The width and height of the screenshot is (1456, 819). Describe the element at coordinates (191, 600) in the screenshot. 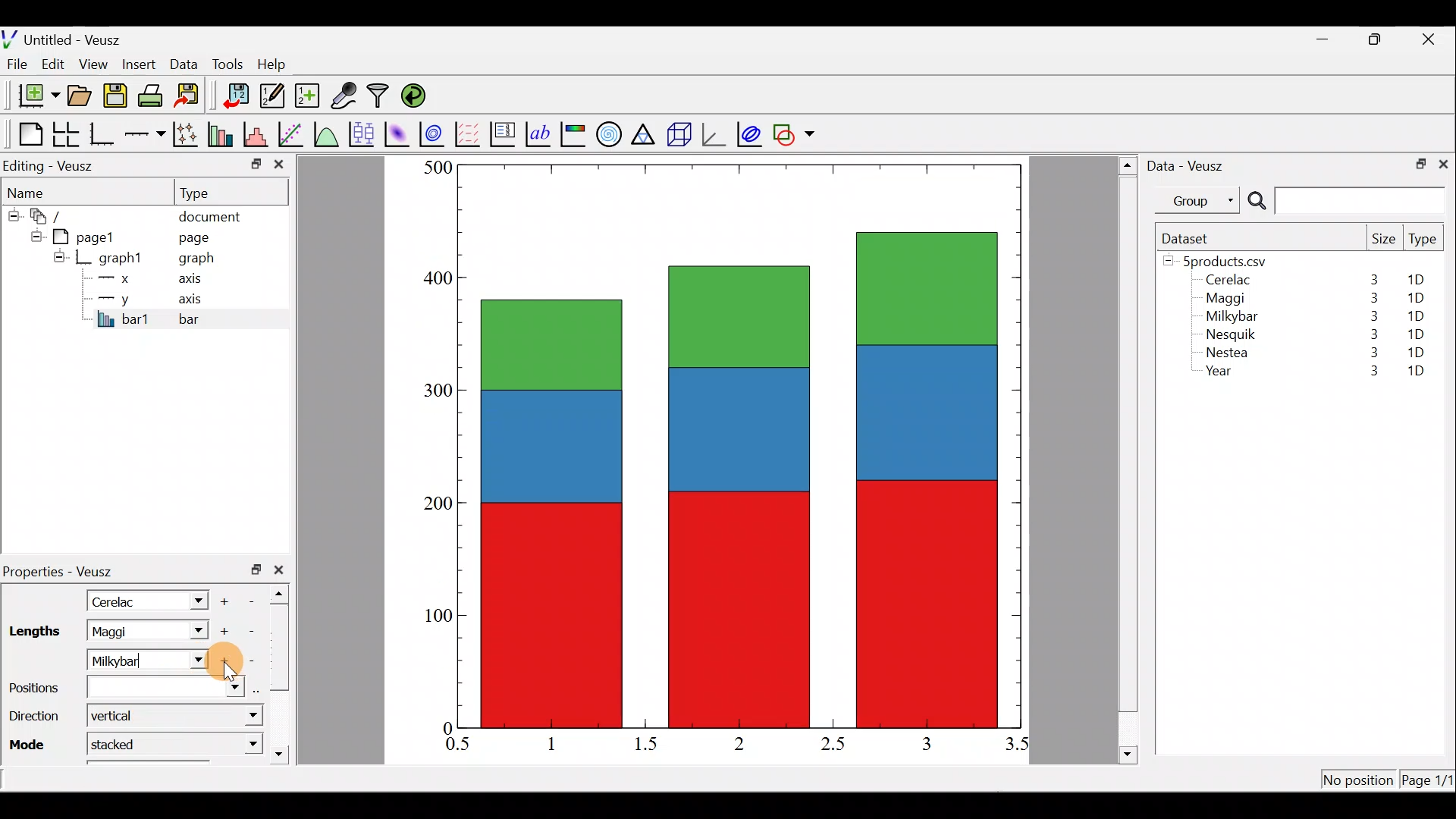

I see `Length dropdown` at that location.